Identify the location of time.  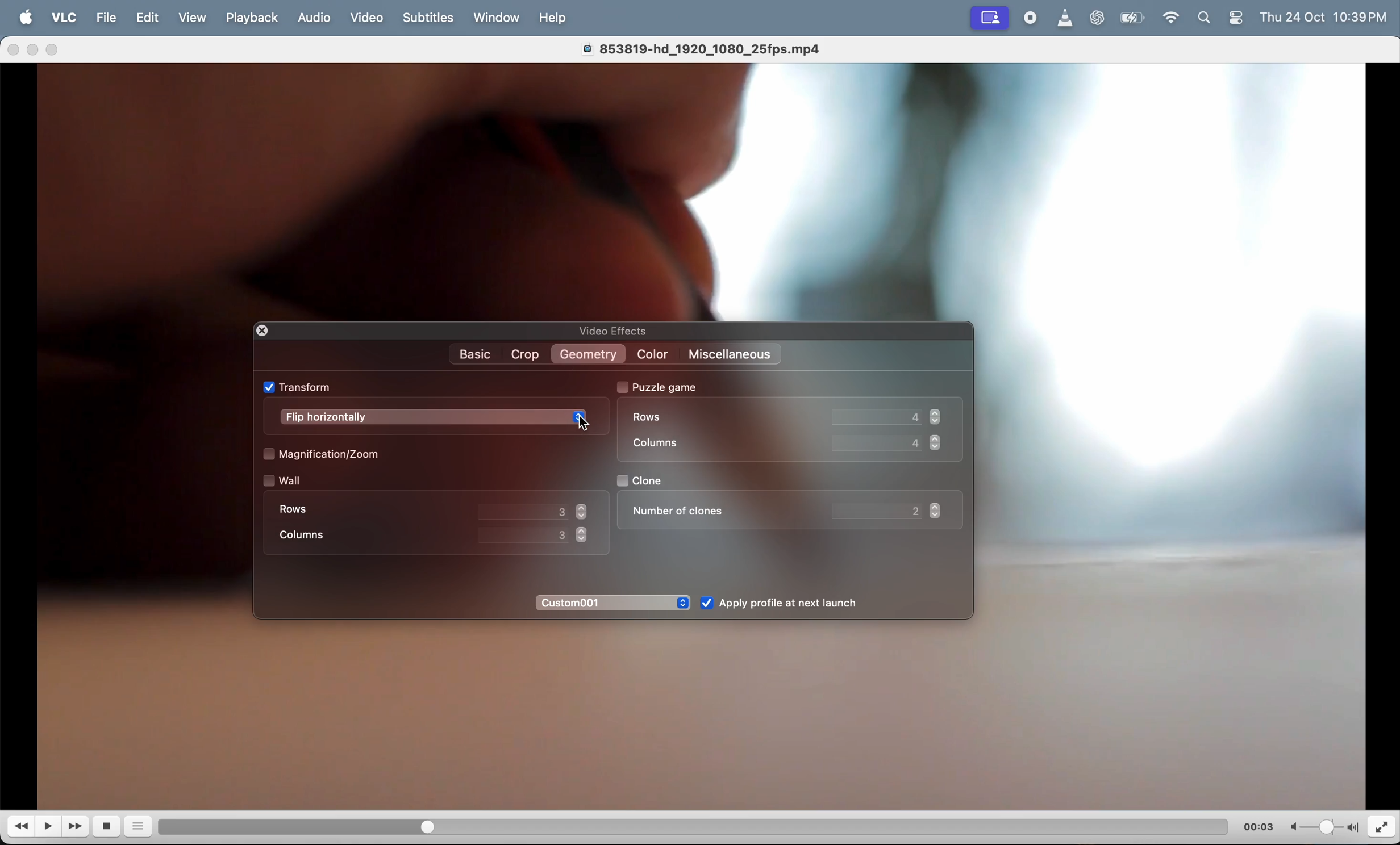
(1259, 826).